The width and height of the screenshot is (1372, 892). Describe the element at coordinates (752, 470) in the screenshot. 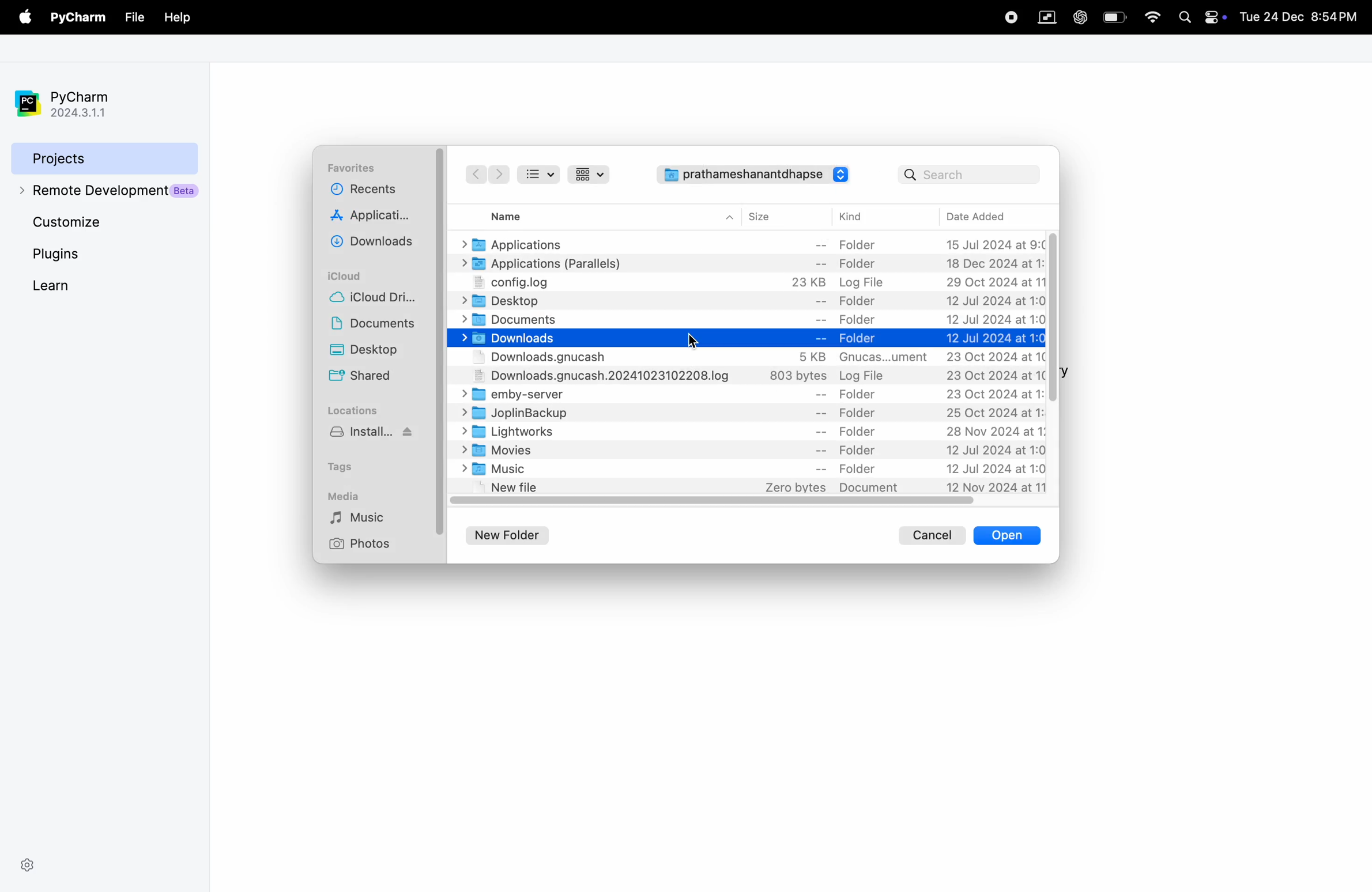

I see `music` at that location.